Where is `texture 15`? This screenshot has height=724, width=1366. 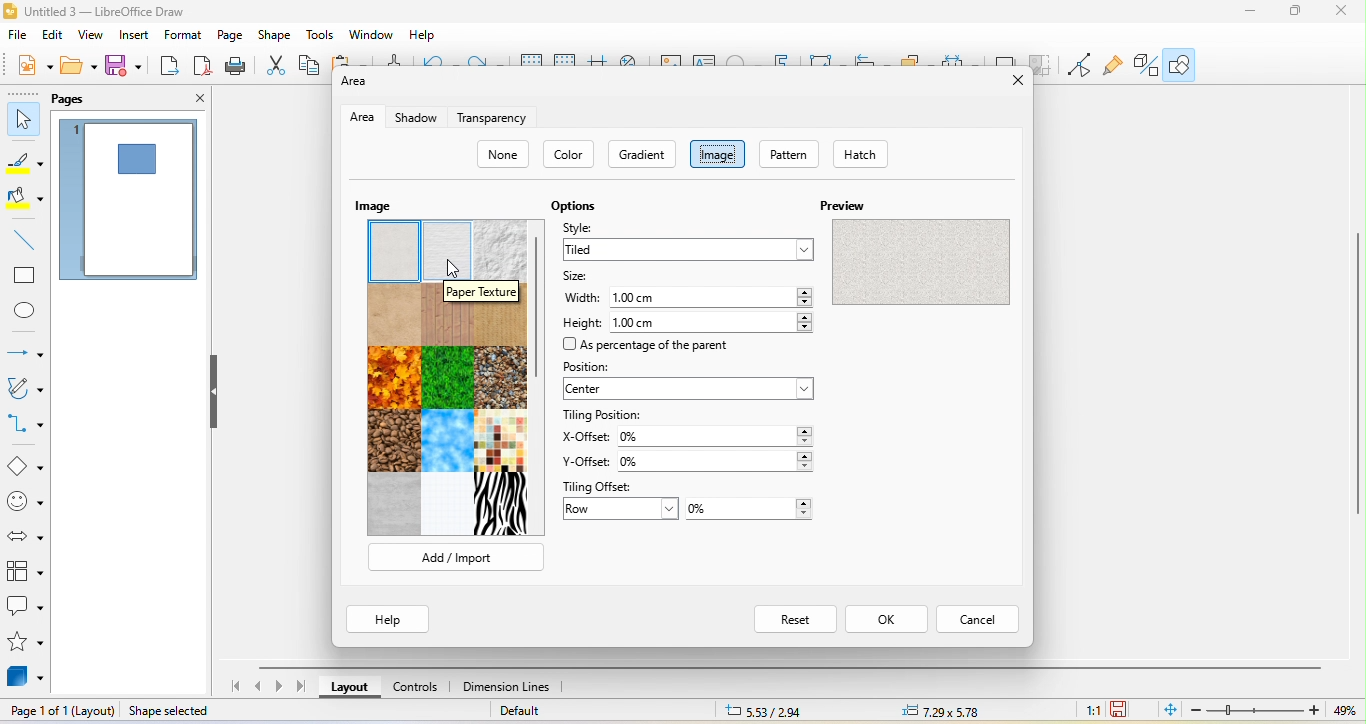
texture 15 is located at coordinates (502, 504).